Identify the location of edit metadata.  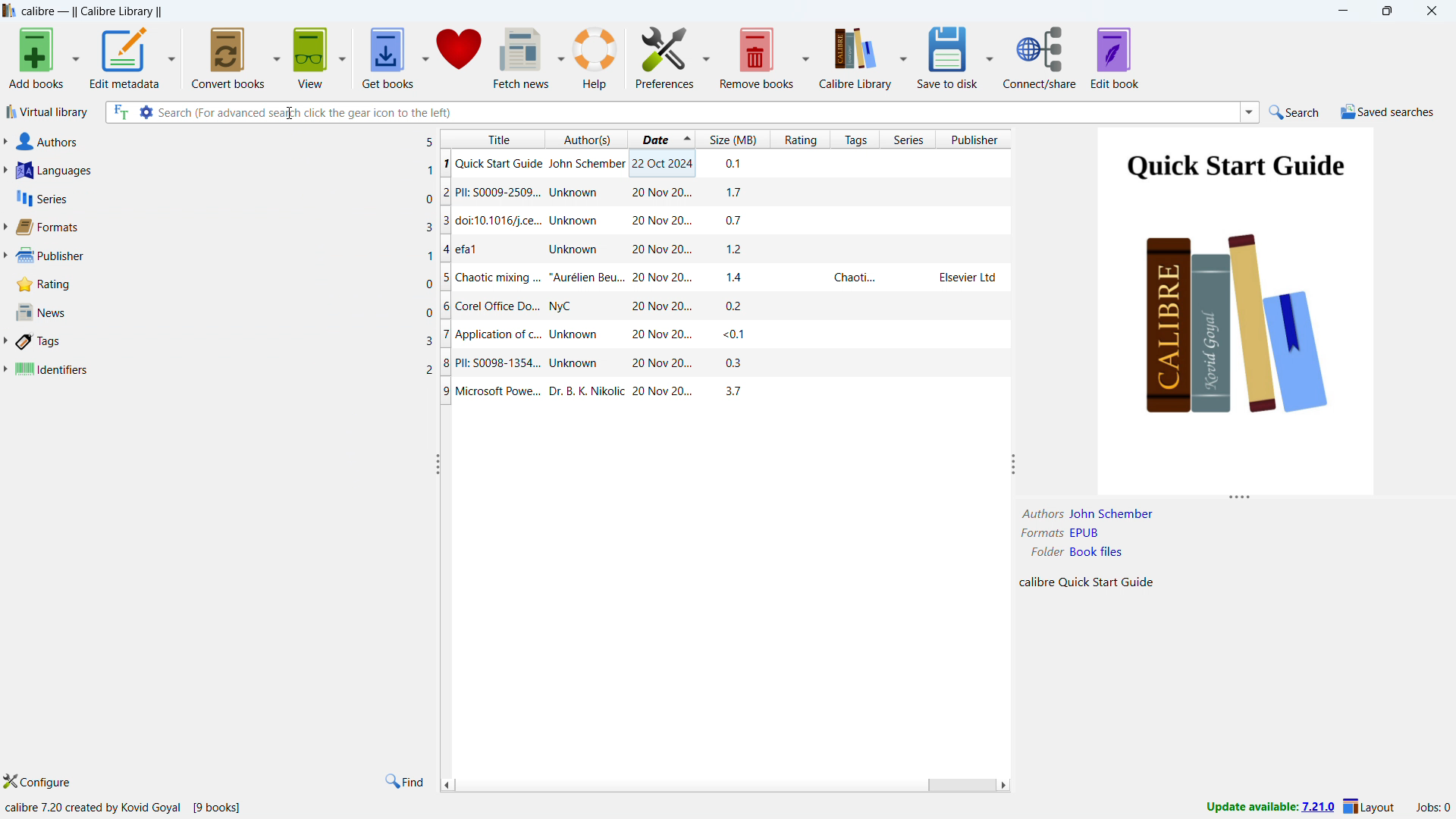
(124, 58).